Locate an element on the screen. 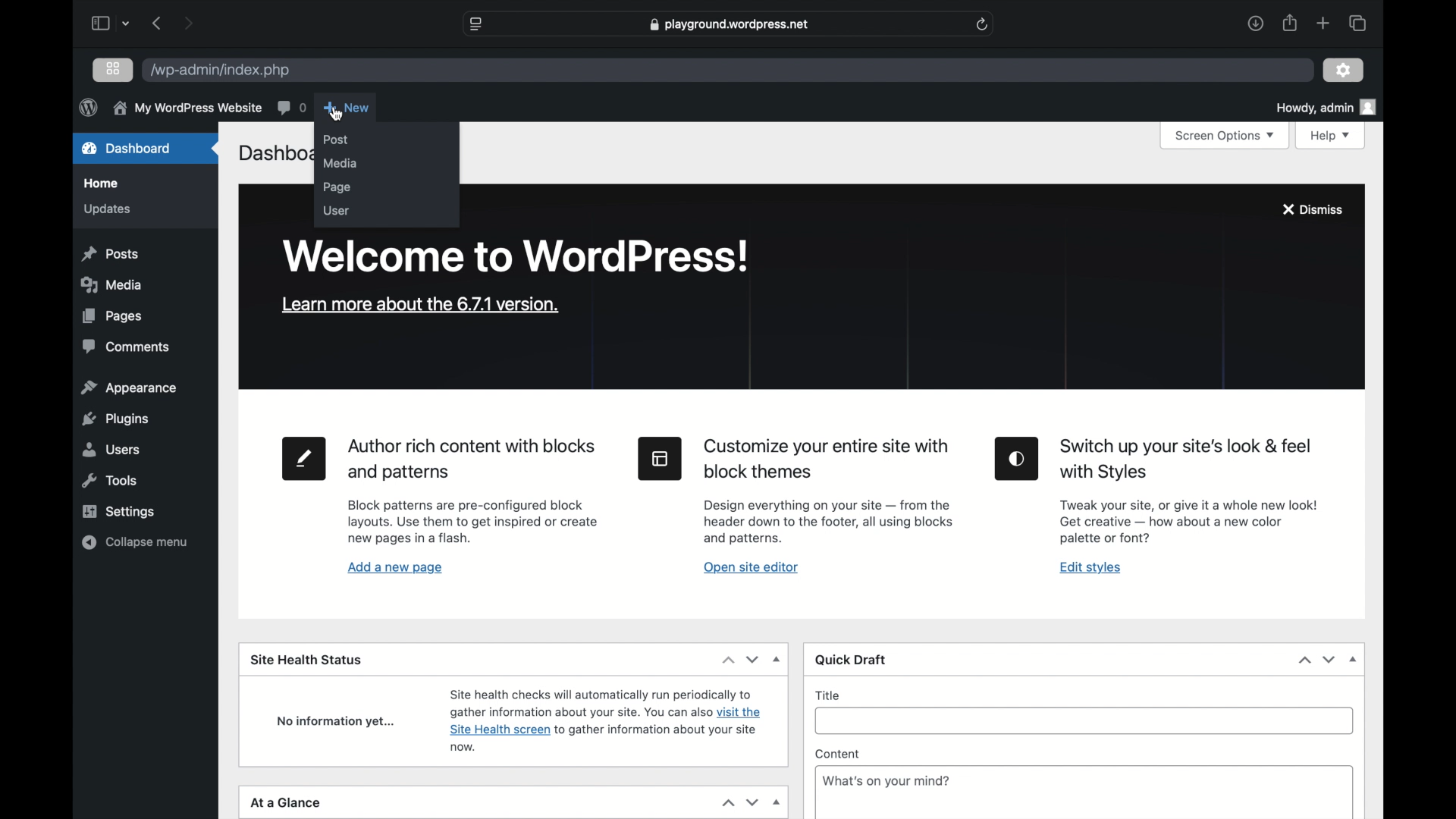 This screenshot has width=1456, height=819. page is located at coordinates (337, 188).